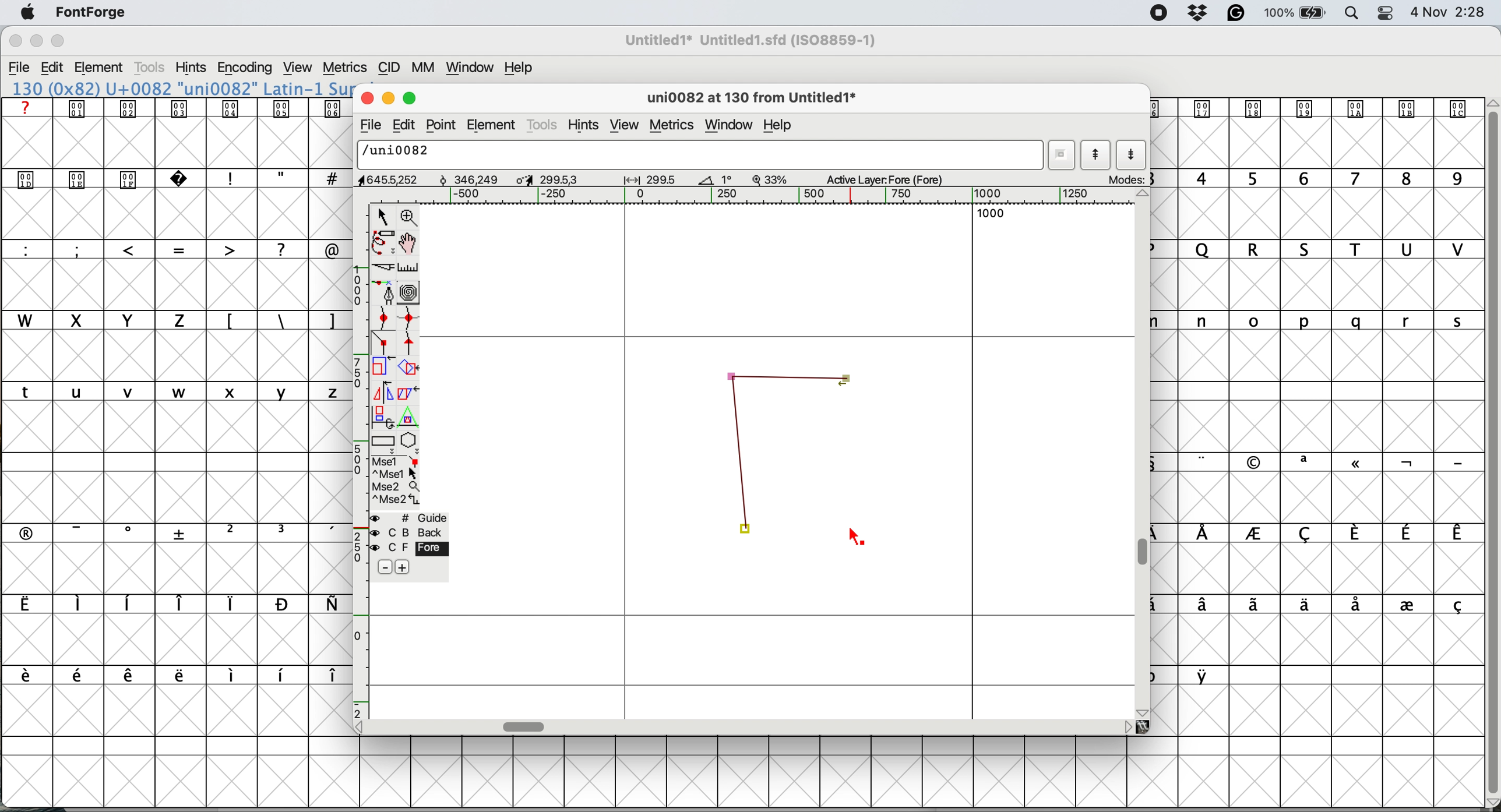 This screenshot has width=1501, height=812. I want to click on special characters, so click(177, 249).